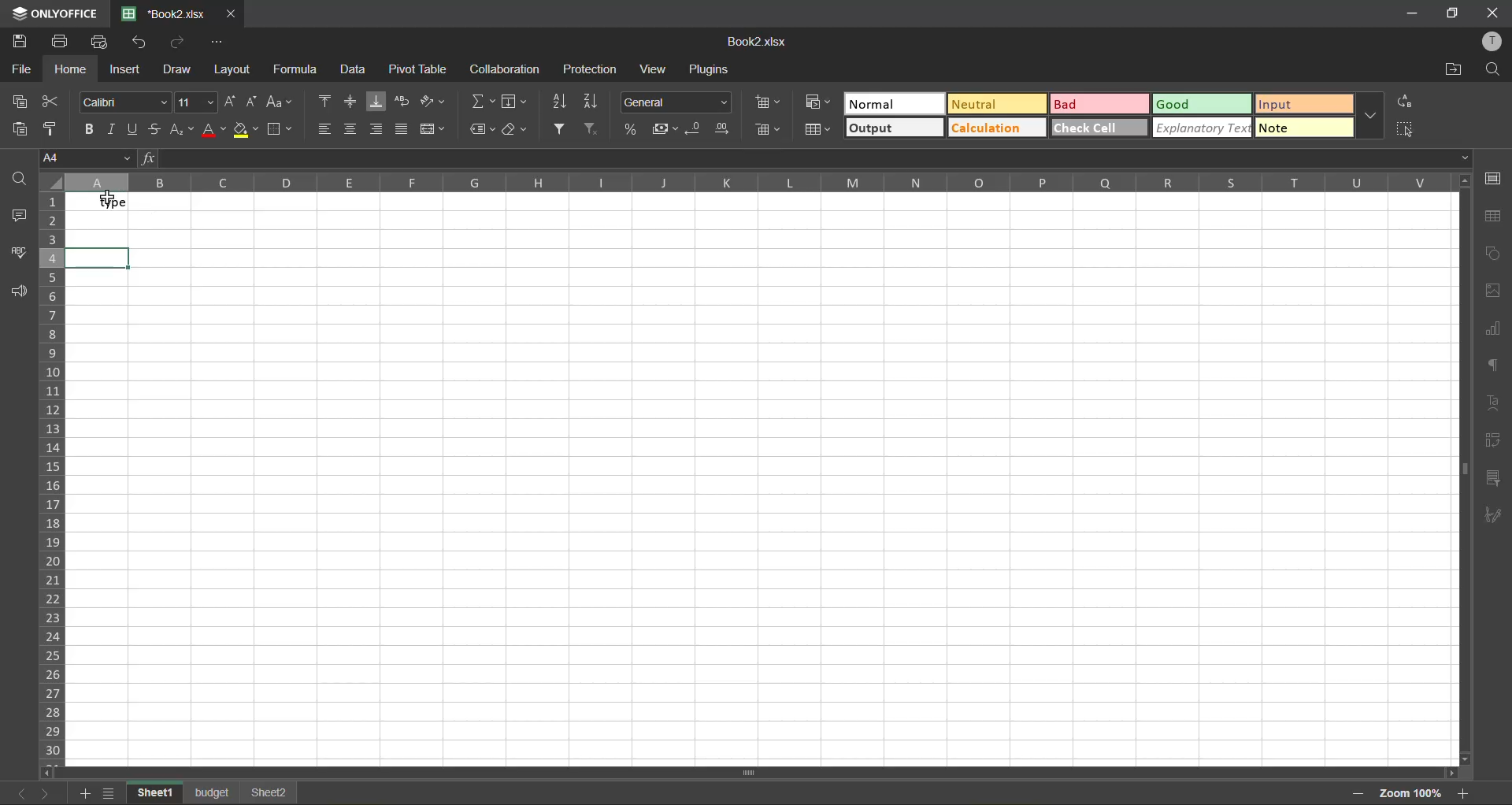 The width and height of the screenshot is (1512, 805). I want to click on previous, so click(16, 792).